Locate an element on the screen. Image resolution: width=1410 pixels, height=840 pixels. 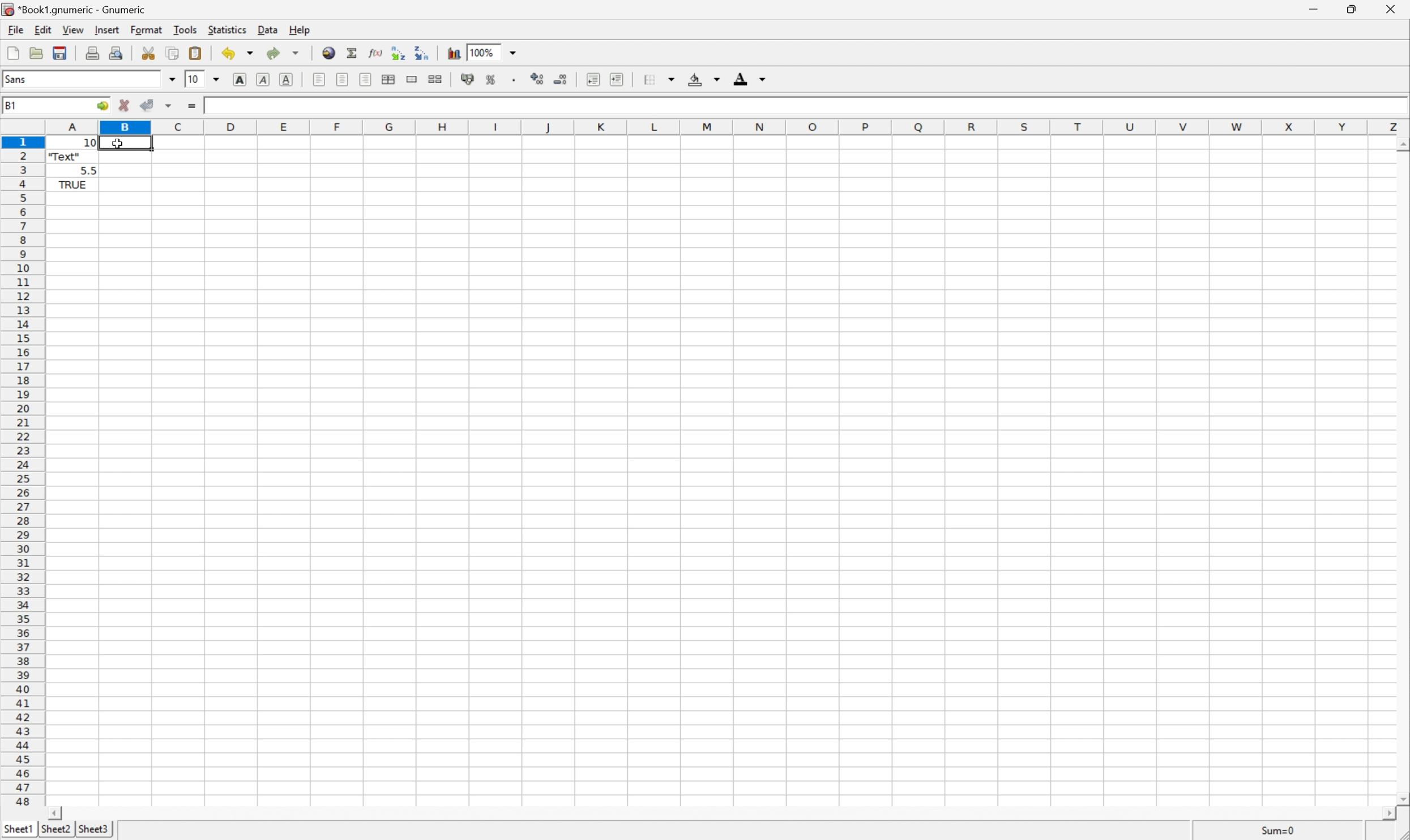
Sheet3 is located at coordinates (96, 829).